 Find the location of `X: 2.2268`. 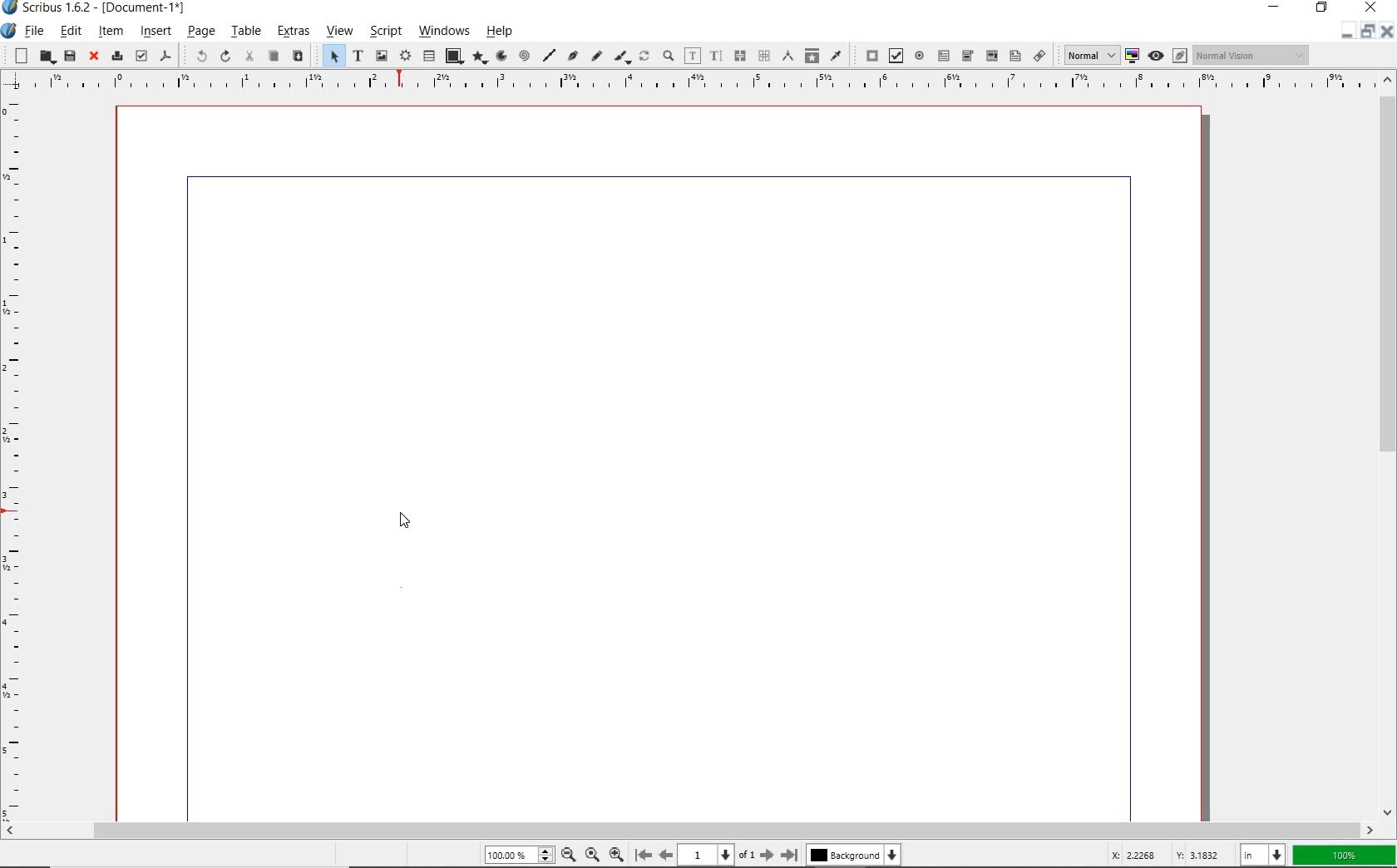

X: 2.2268 is located at coordinates (1137, 855).